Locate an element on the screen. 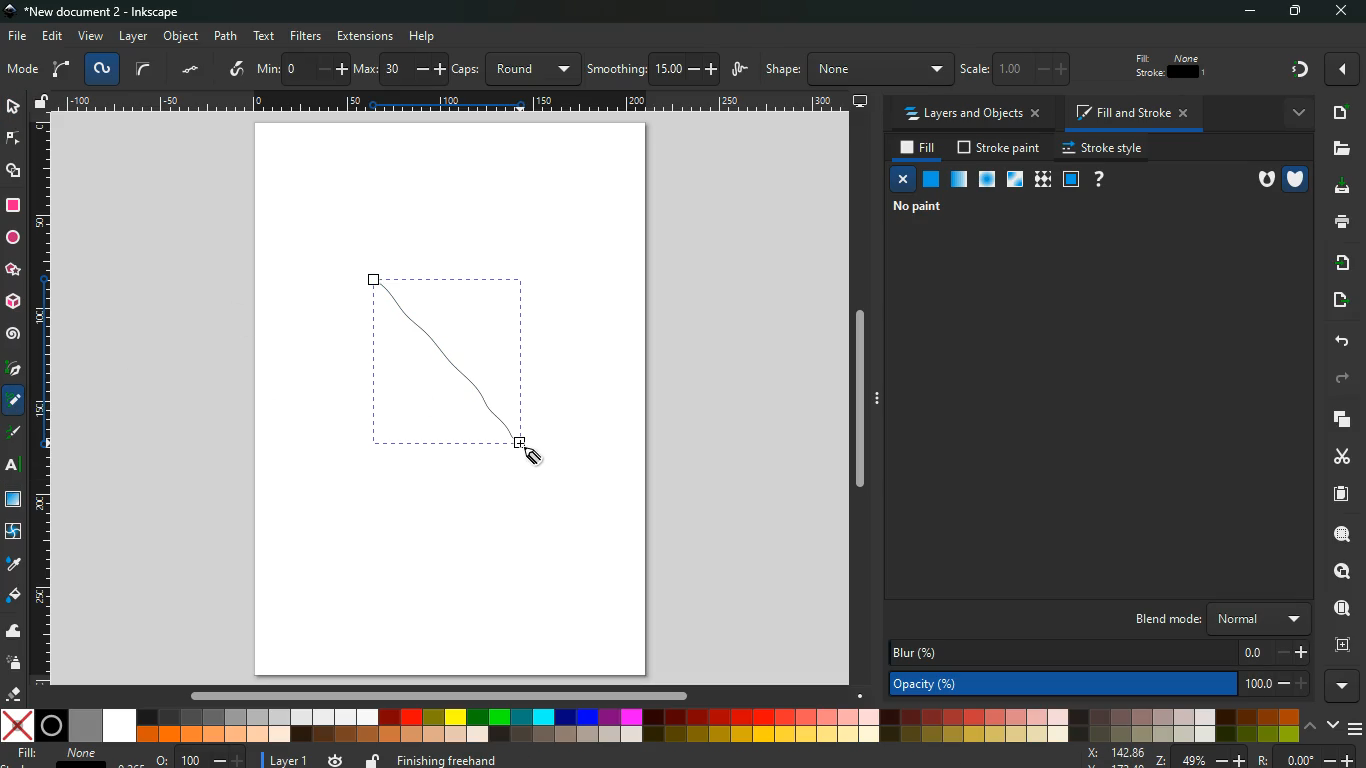 The image size is (1366, 768). max is located at coordinates (399, 69).